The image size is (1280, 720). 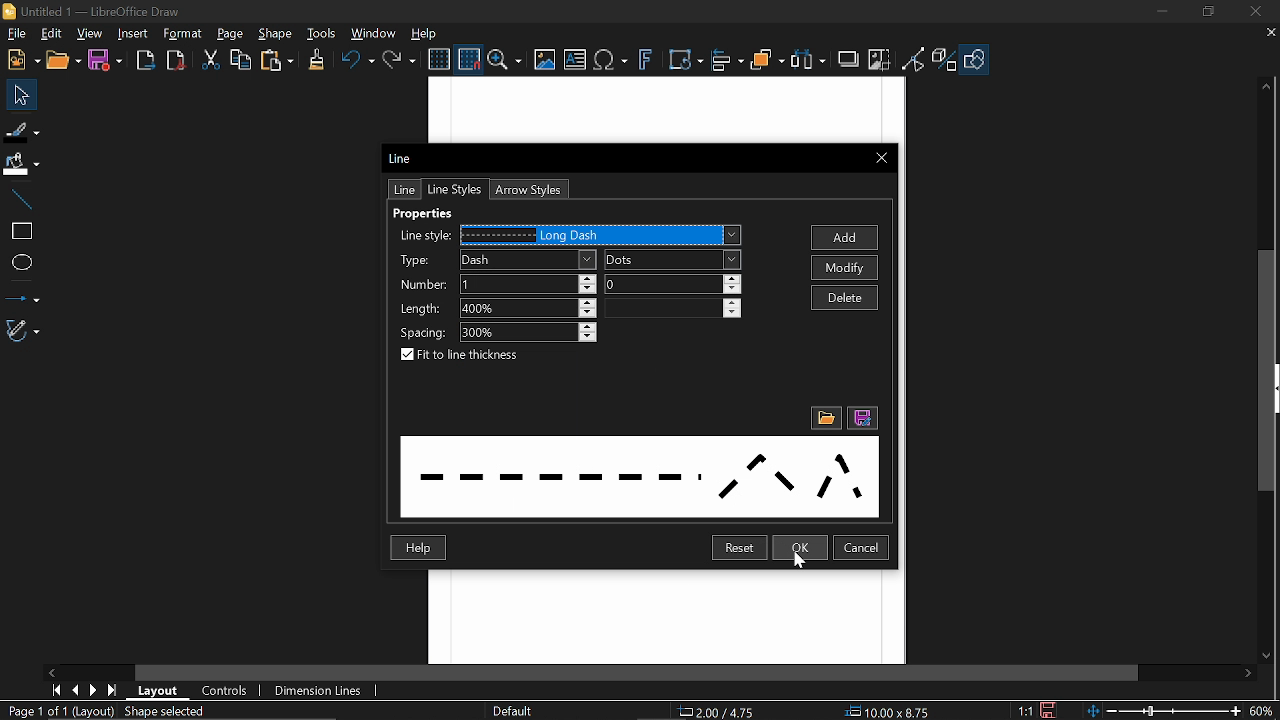 I want to click on Type, so click(x=528, y=259).